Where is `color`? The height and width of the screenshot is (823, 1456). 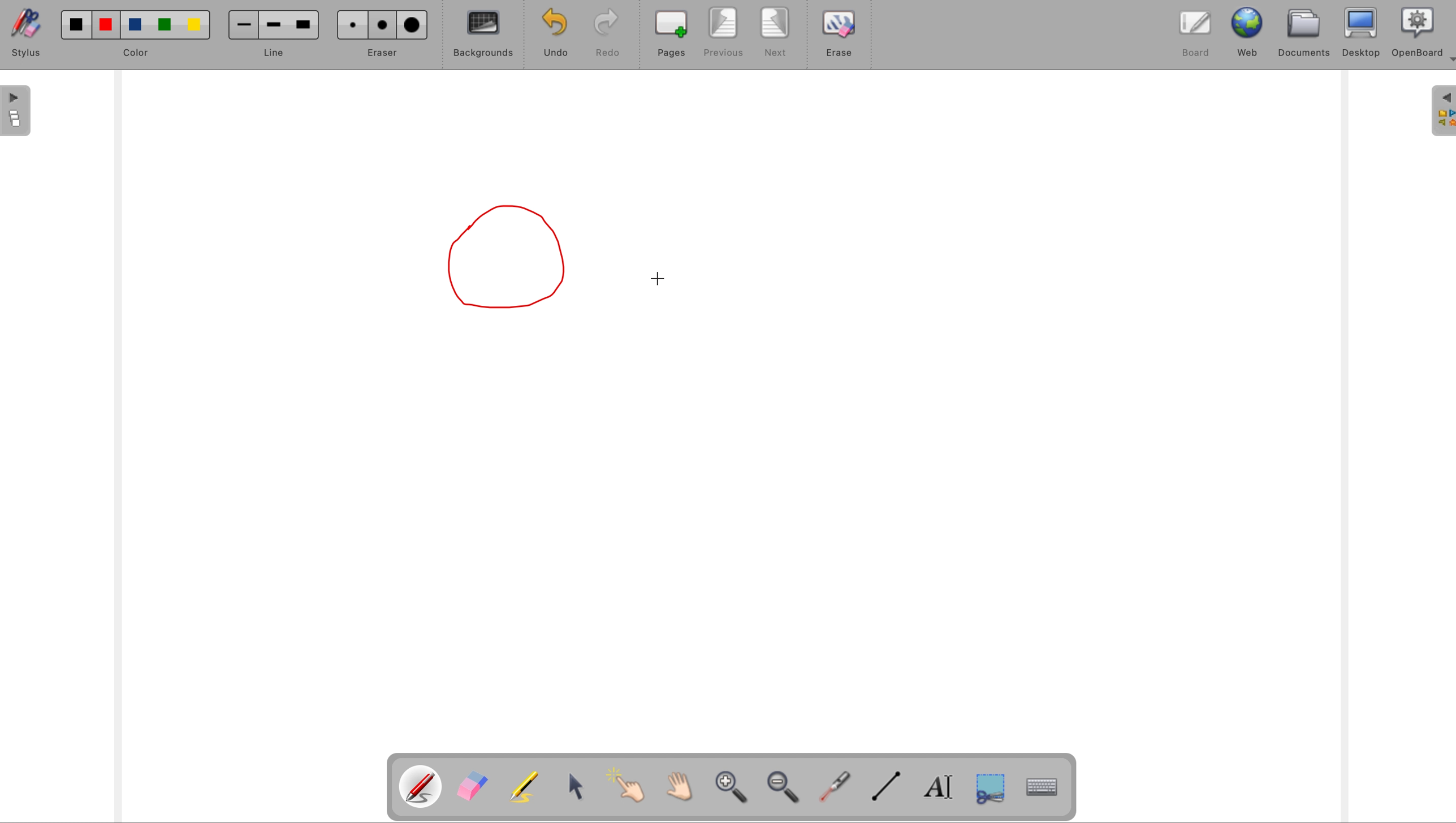 color is located at coordinates (138, 34).